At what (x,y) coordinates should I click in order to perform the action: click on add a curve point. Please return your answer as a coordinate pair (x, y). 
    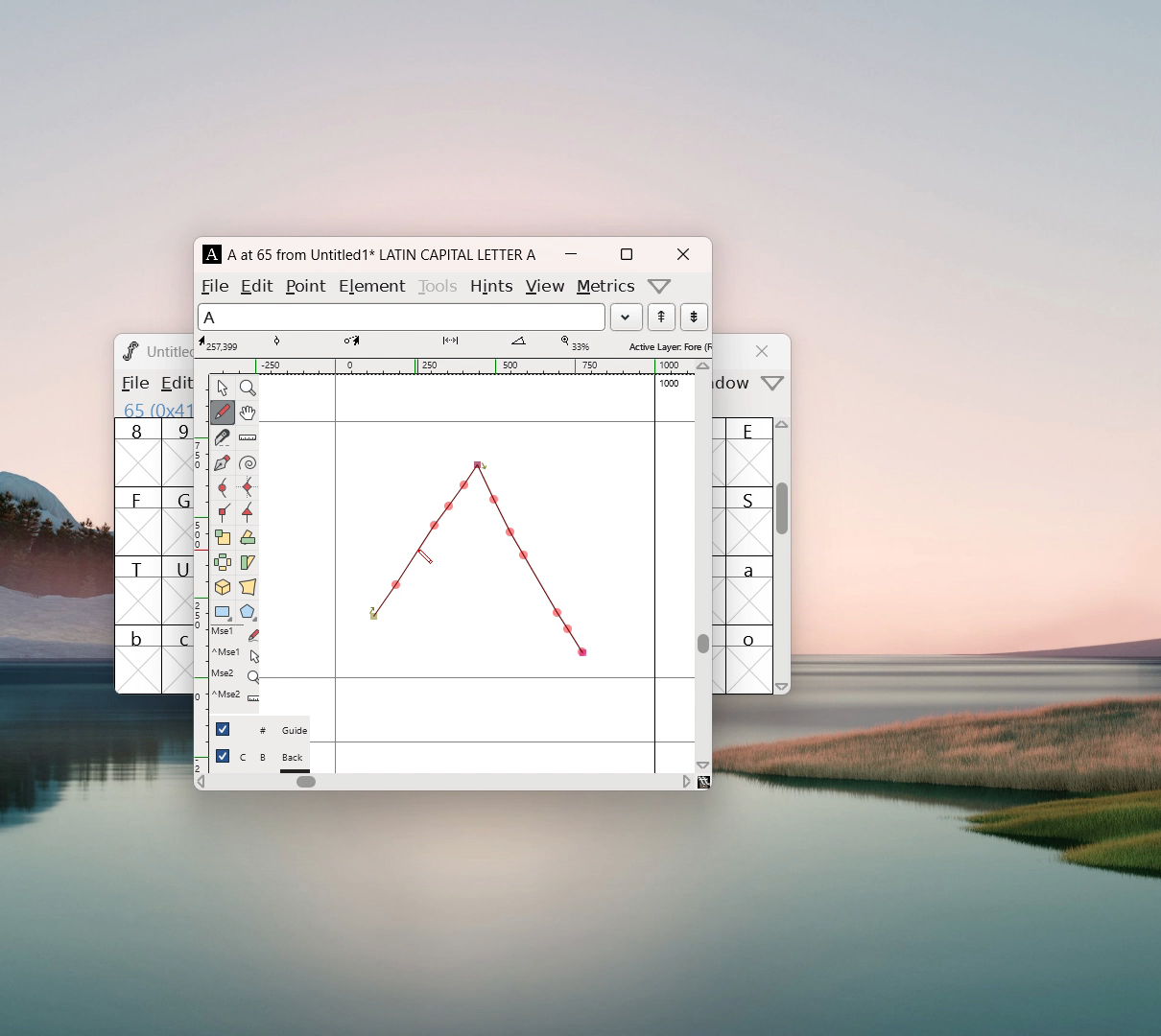
    Looking at the image, I should click on (222, 488).